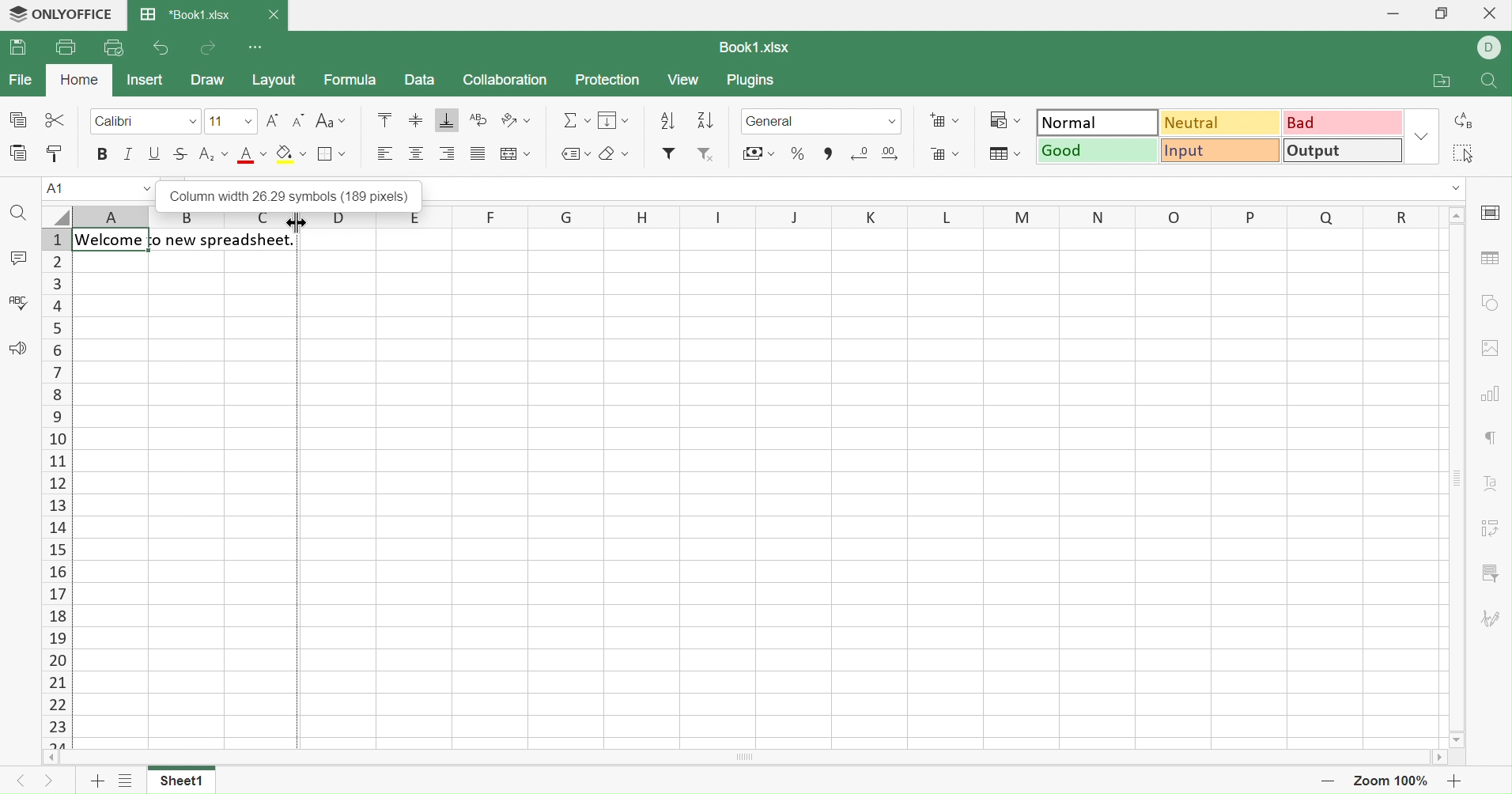  I want to click on Find, so click(17, 213).